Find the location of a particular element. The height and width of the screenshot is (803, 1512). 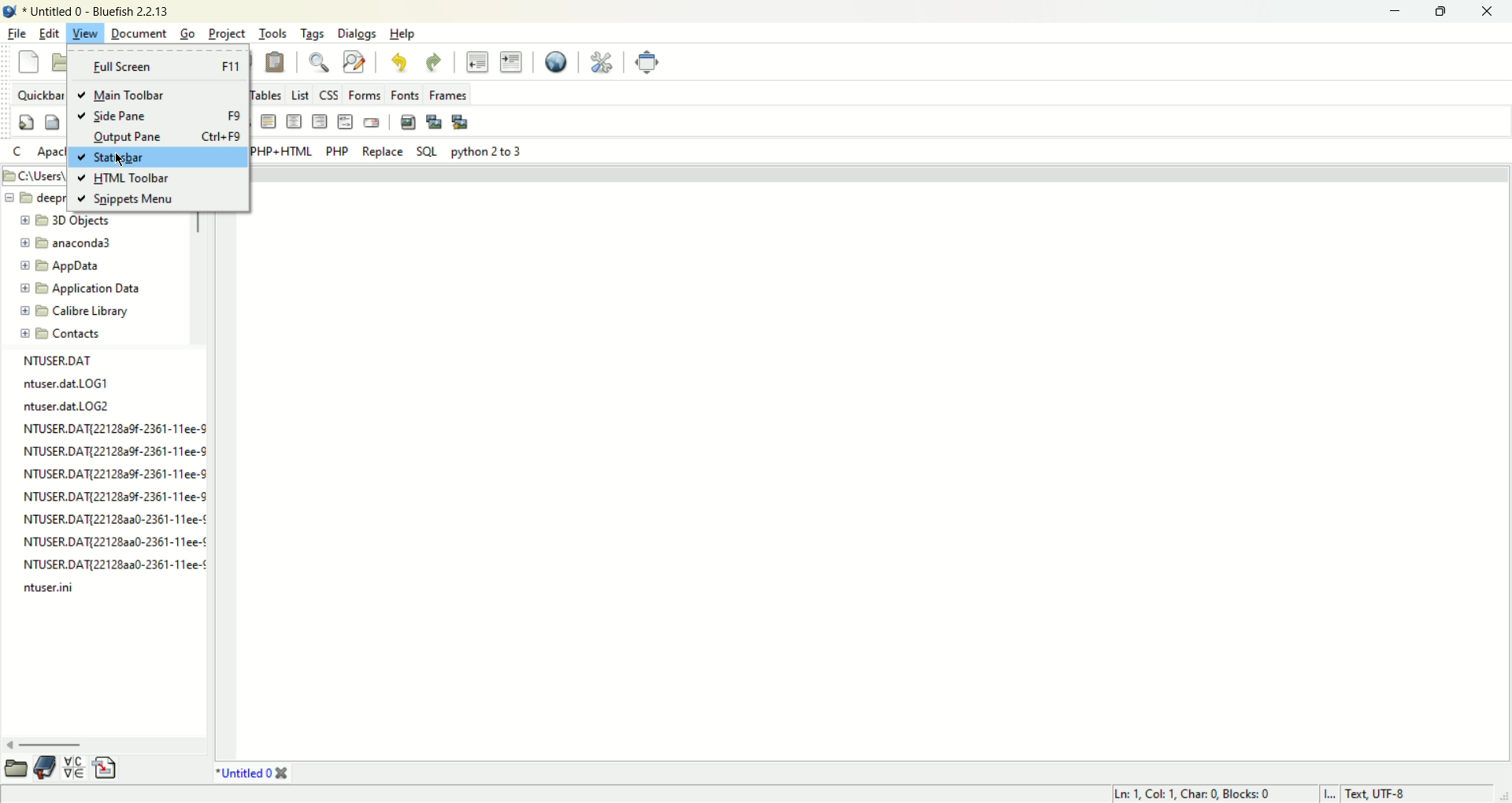

view in browser is located at coordinates (558, 63).